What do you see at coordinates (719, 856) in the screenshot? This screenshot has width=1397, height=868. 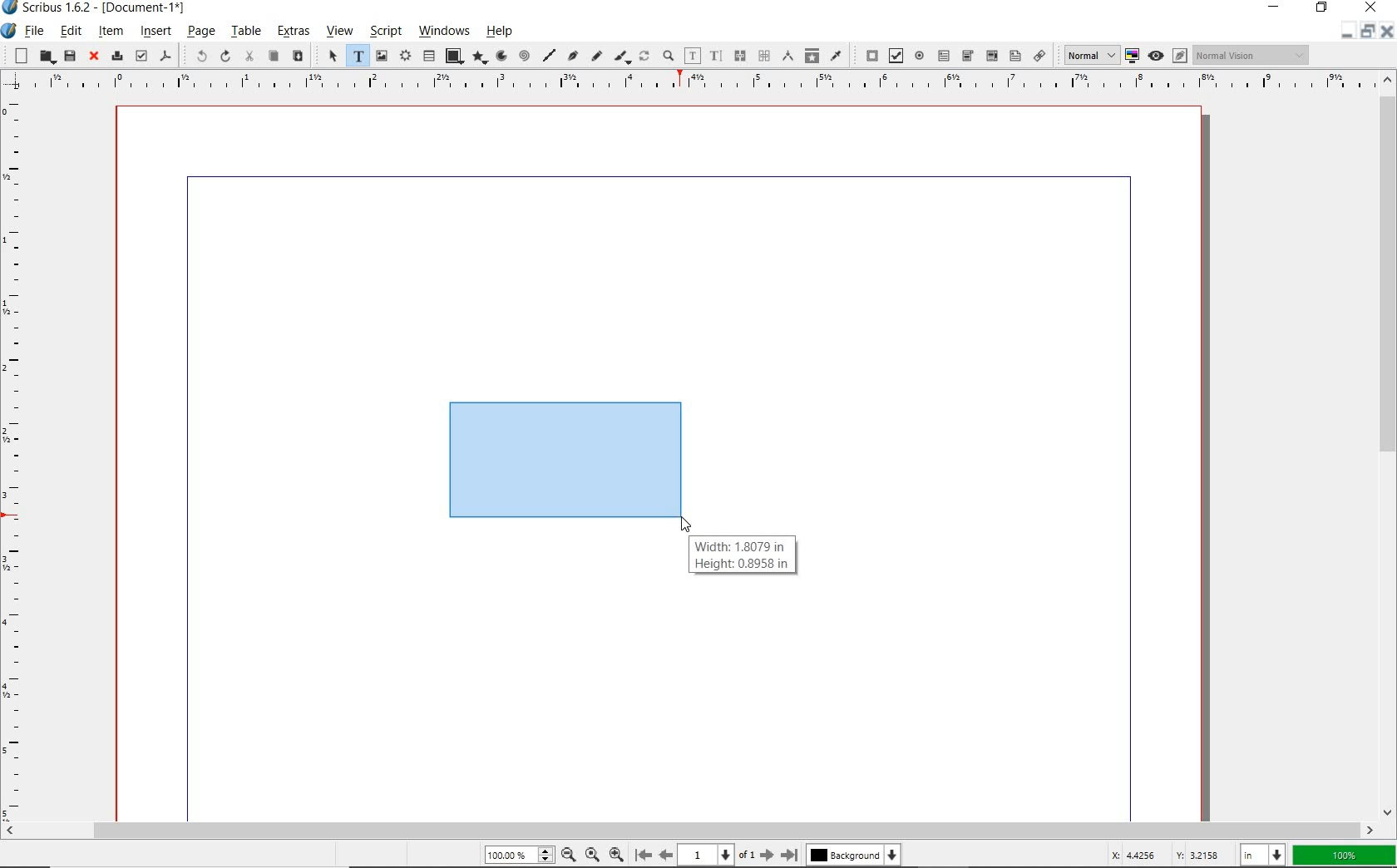 I see `1 of 1` at bounding box center [719, 856].